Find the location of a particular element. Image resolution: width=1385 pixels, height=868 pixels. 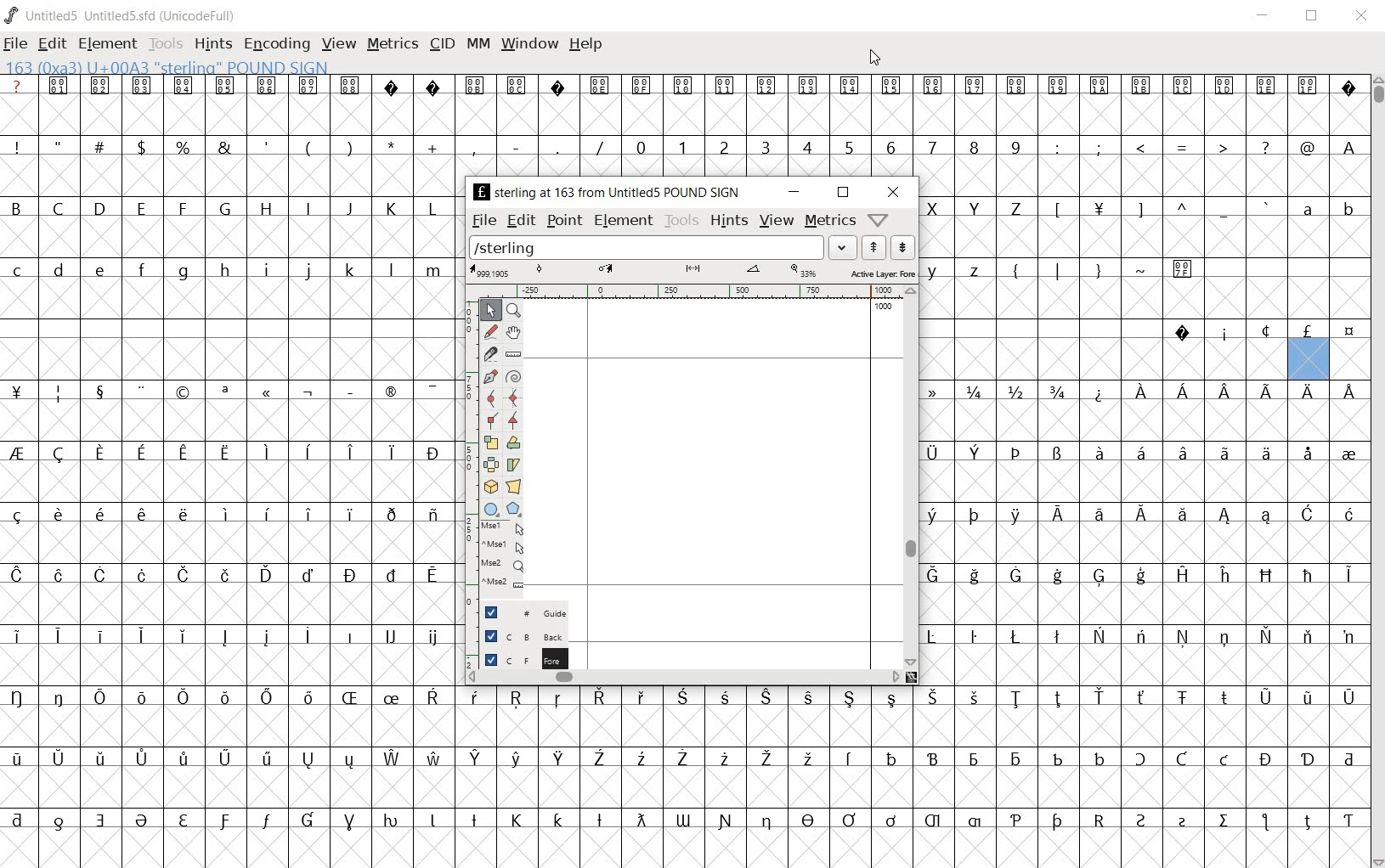

y is located at coordinates (936, 270).